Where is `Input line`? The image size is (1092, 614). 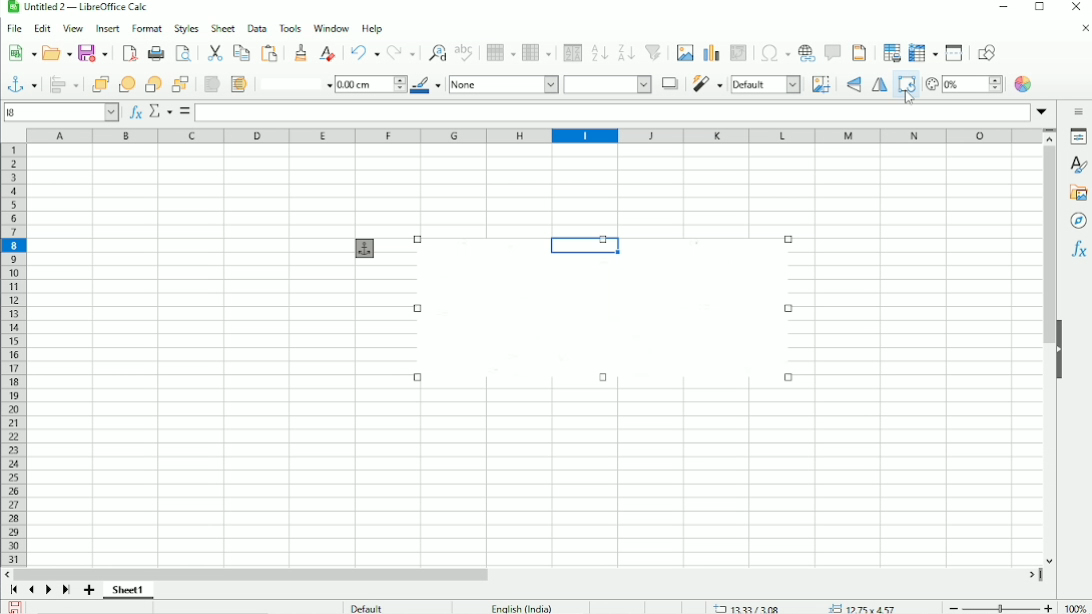
Input line is located at coordinates (613, 113).